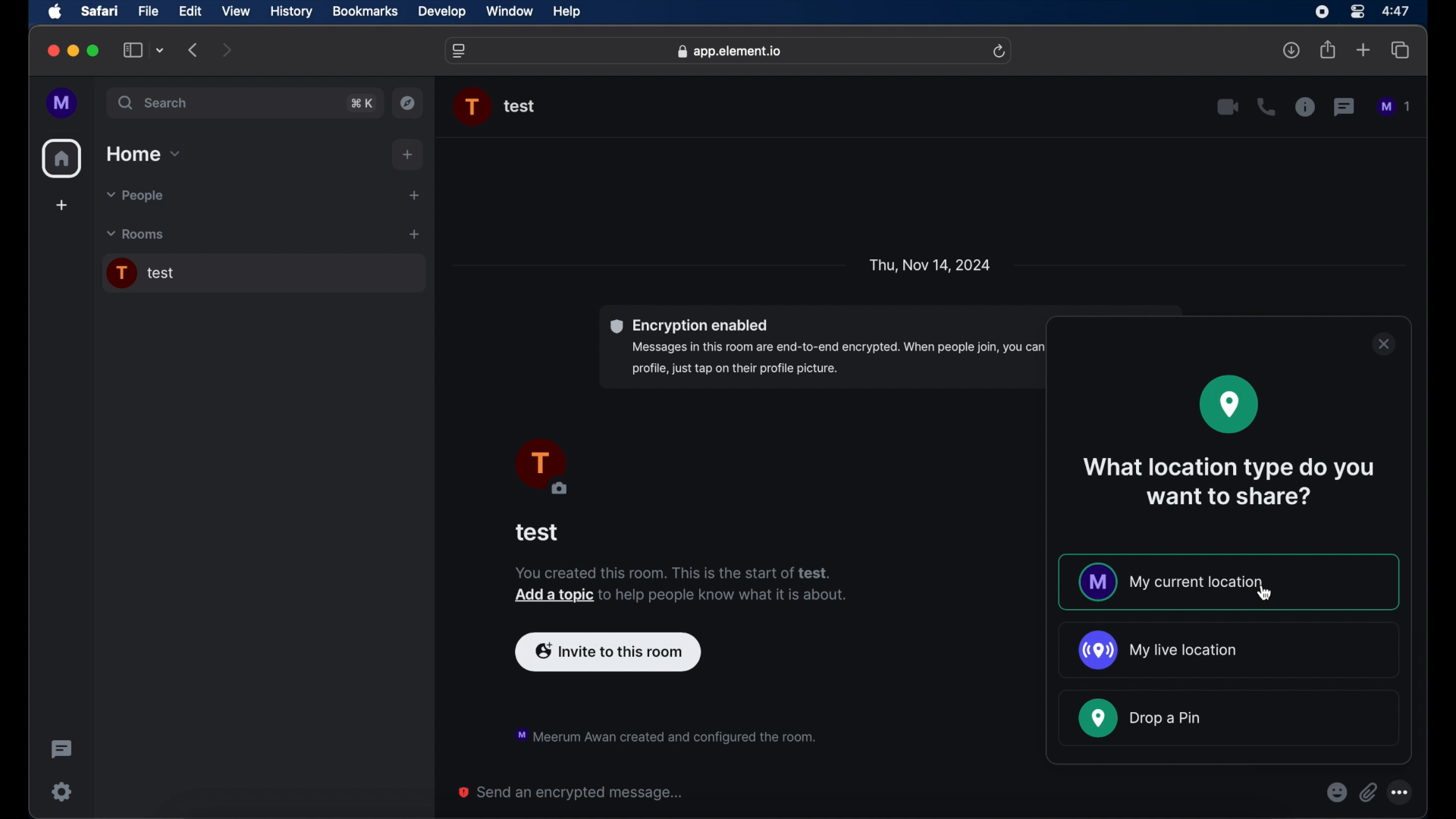 The image size is (1456, 819). Describe the element at coordinates (263, 274) in the screenshot. I see `chat room` at that location.